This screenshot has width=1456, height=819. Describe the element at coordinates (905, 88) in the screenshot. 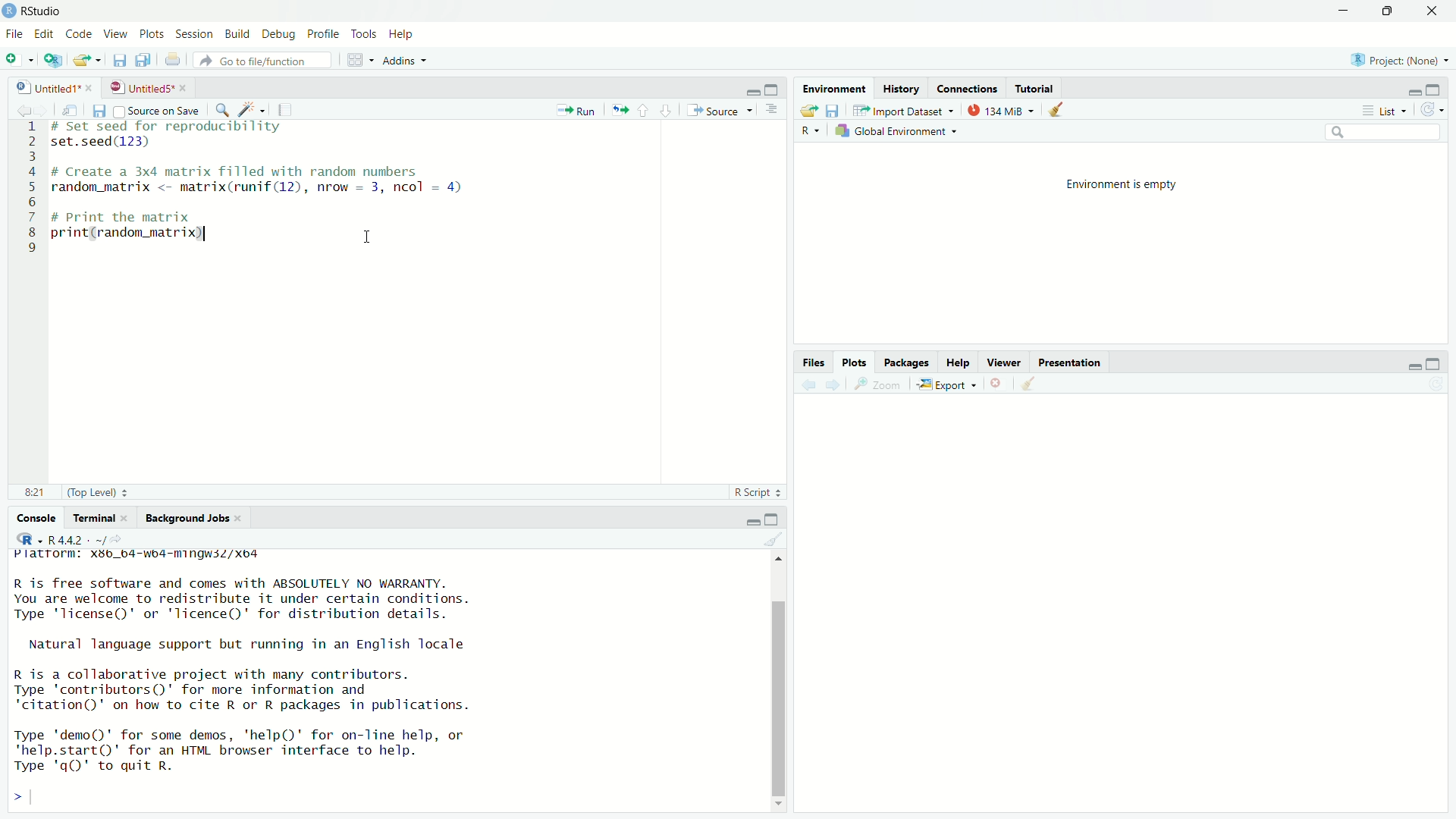

I see `History` at that location.